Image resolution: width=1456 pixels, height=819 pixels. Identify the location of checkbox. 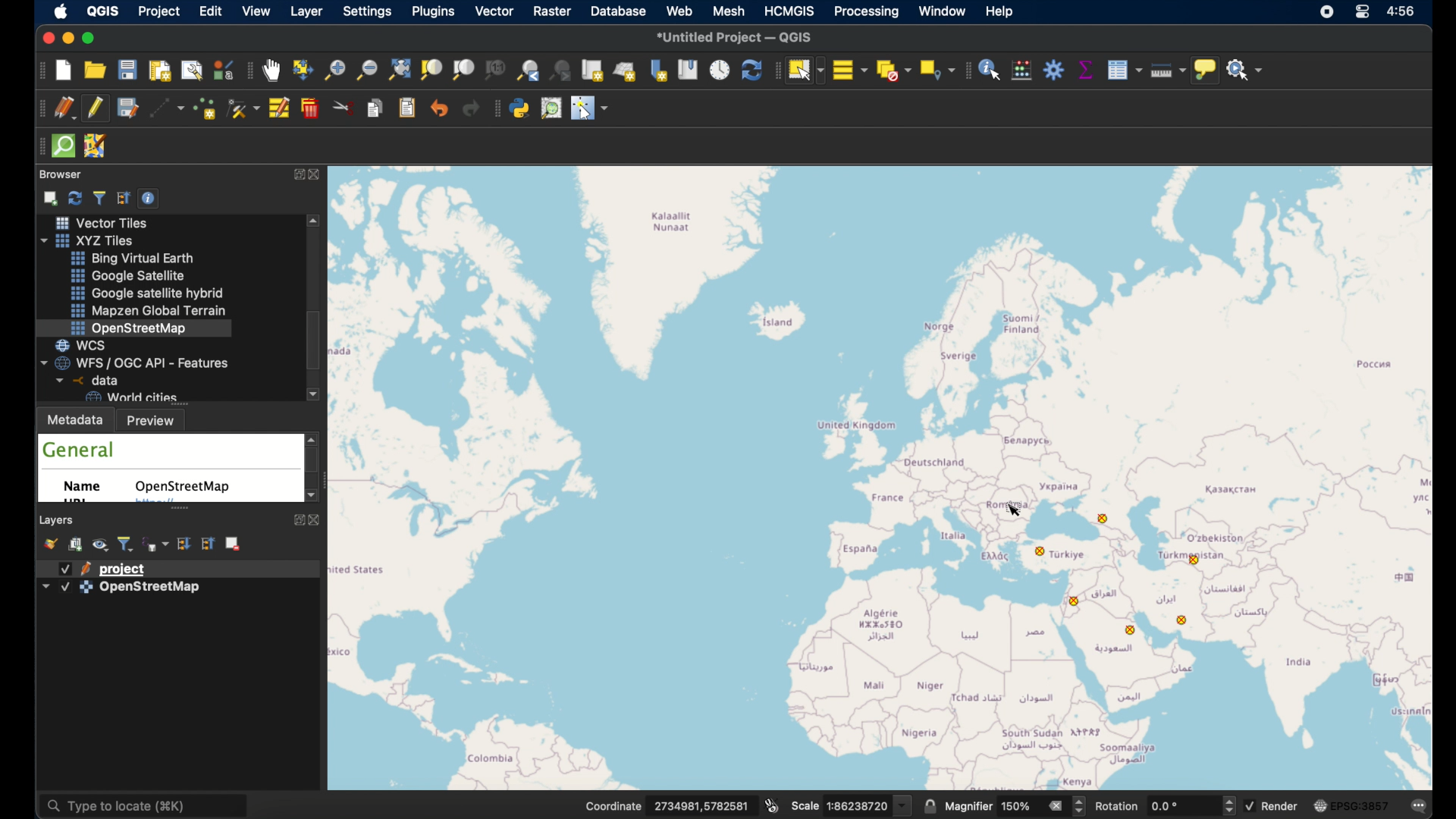
(1250, 806).